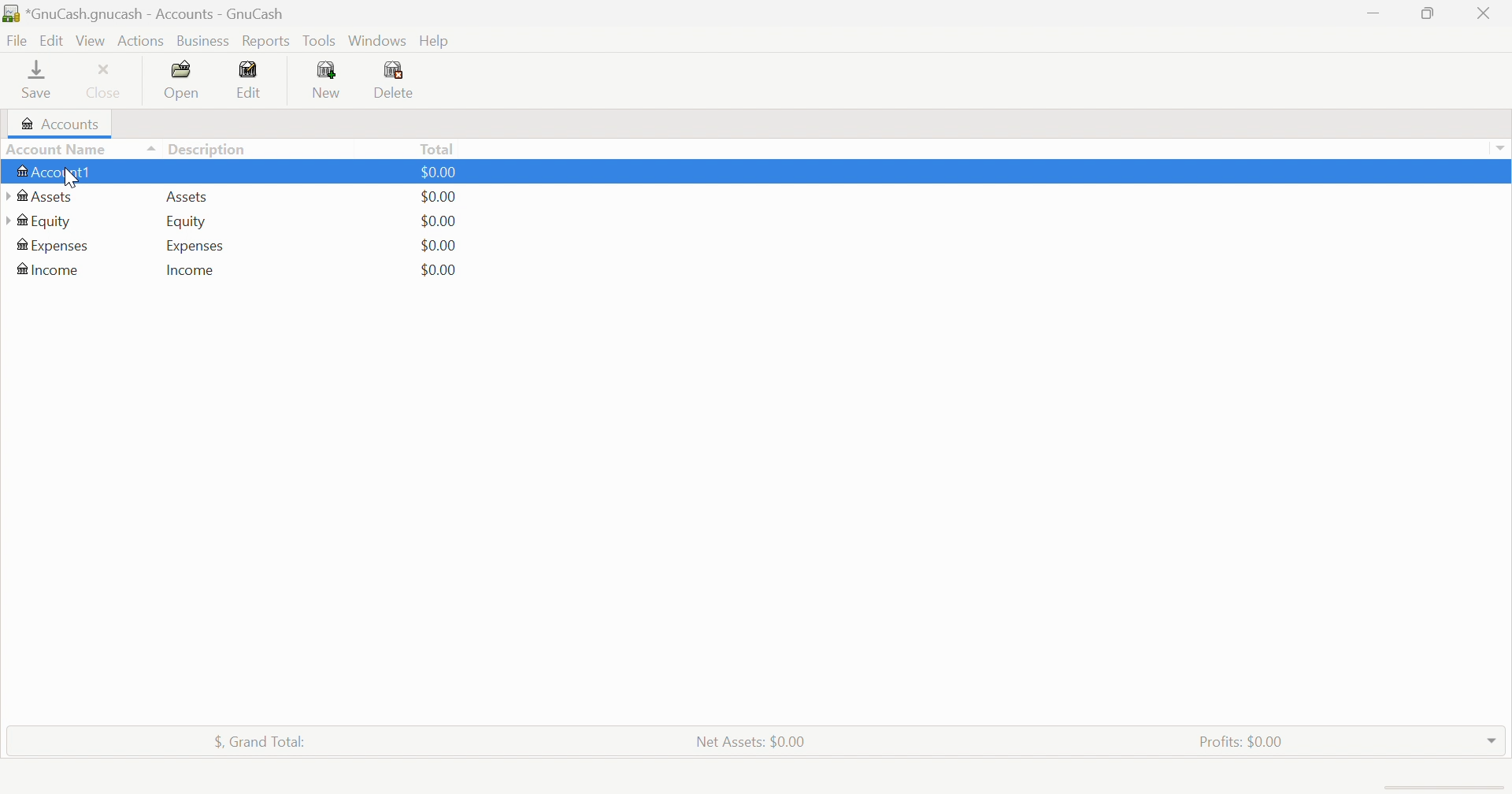  I want to click on cursor, so click(70, 179).